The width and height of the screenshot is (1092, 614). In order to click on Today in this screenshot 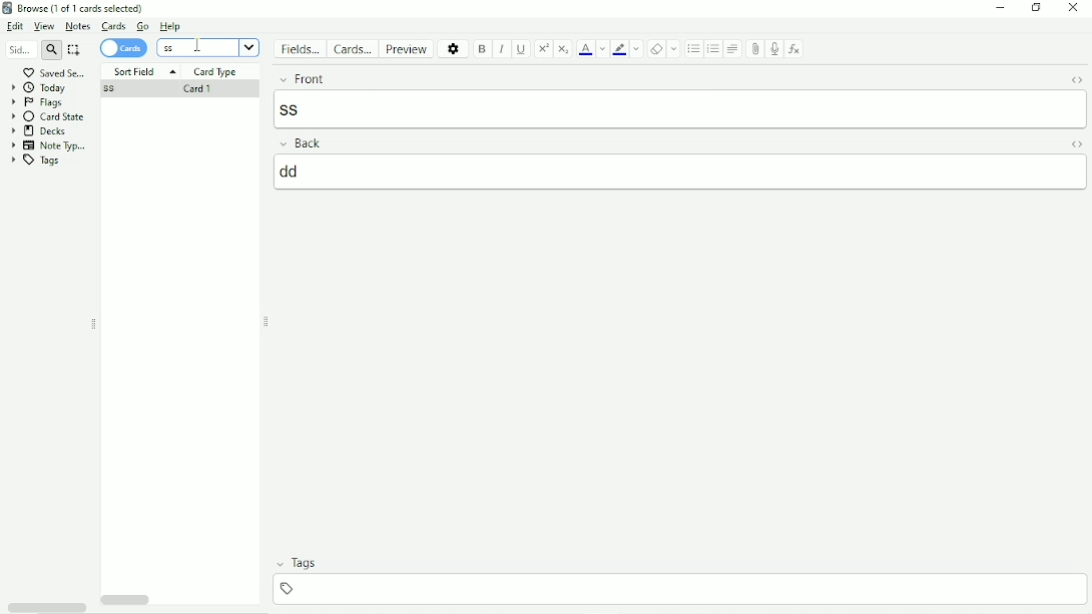, I will do `click(42, 87)`.